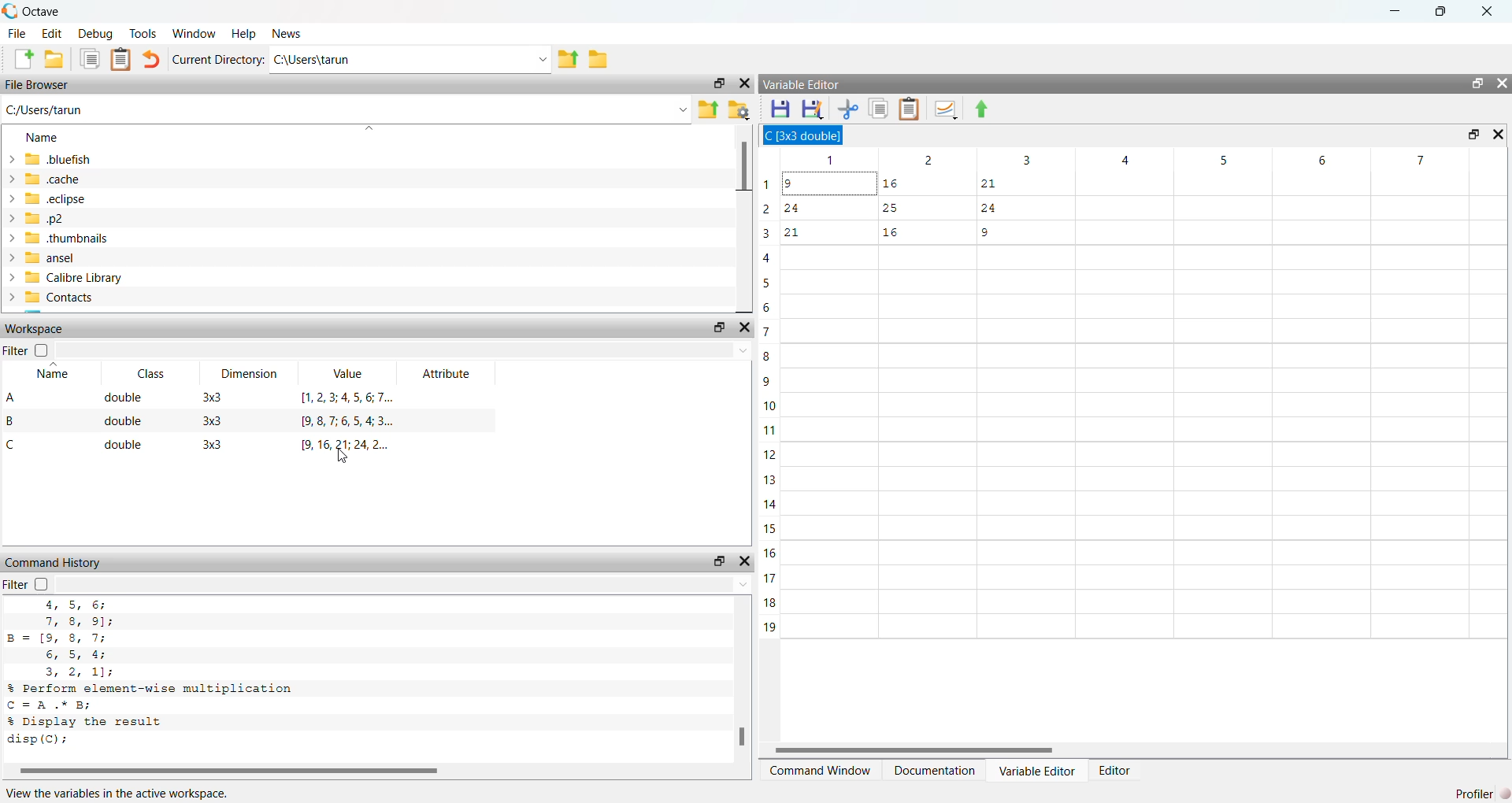 The width and height of the screenshot is (1512, 803). What do you see at coordinates (78, 654) in the screenshot?
I see `6; 5, 4;` at bounding box center [78, 654].